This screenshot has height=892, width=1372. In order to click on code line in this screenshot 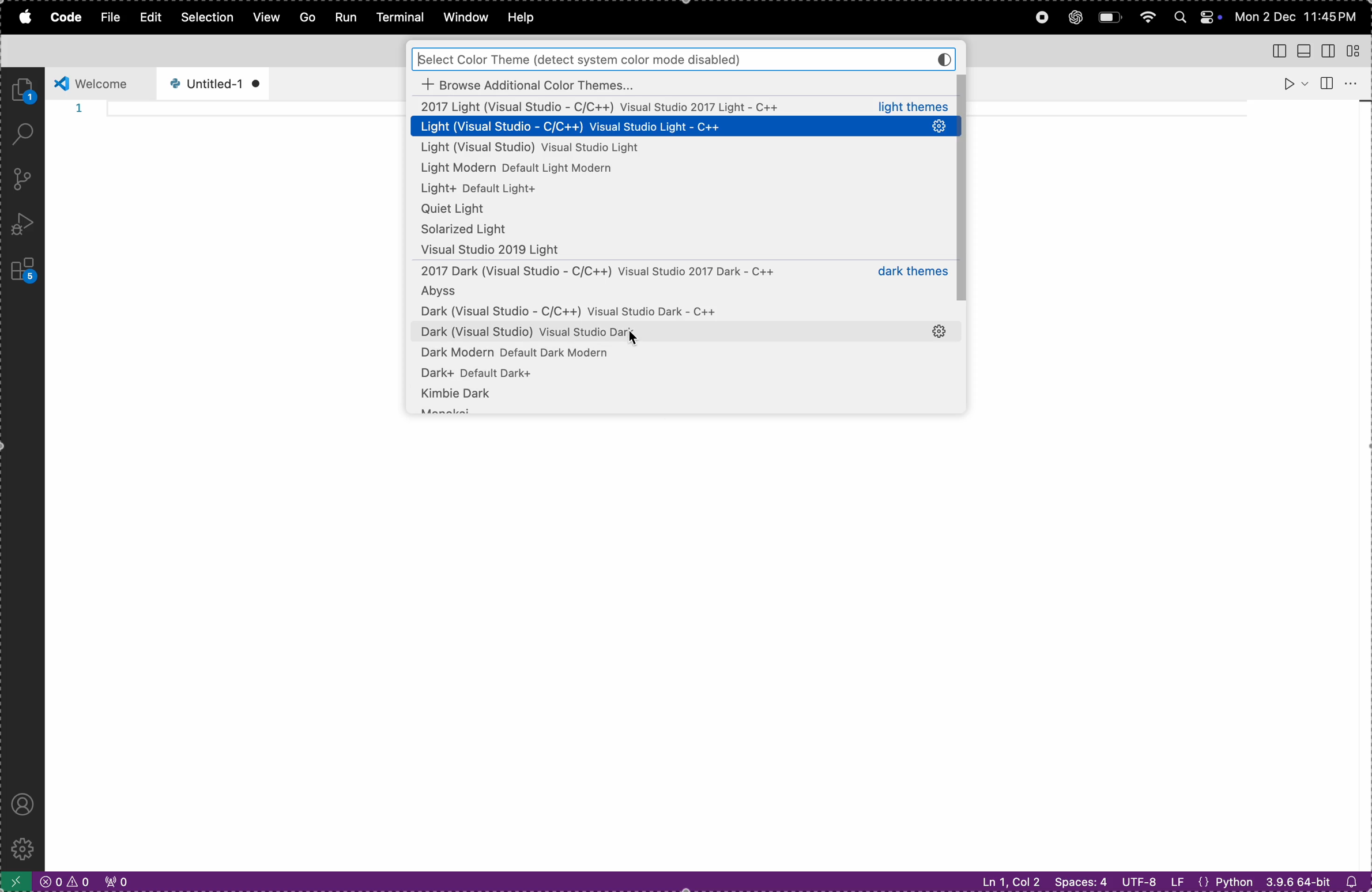, I will do `click(257, 111)`.